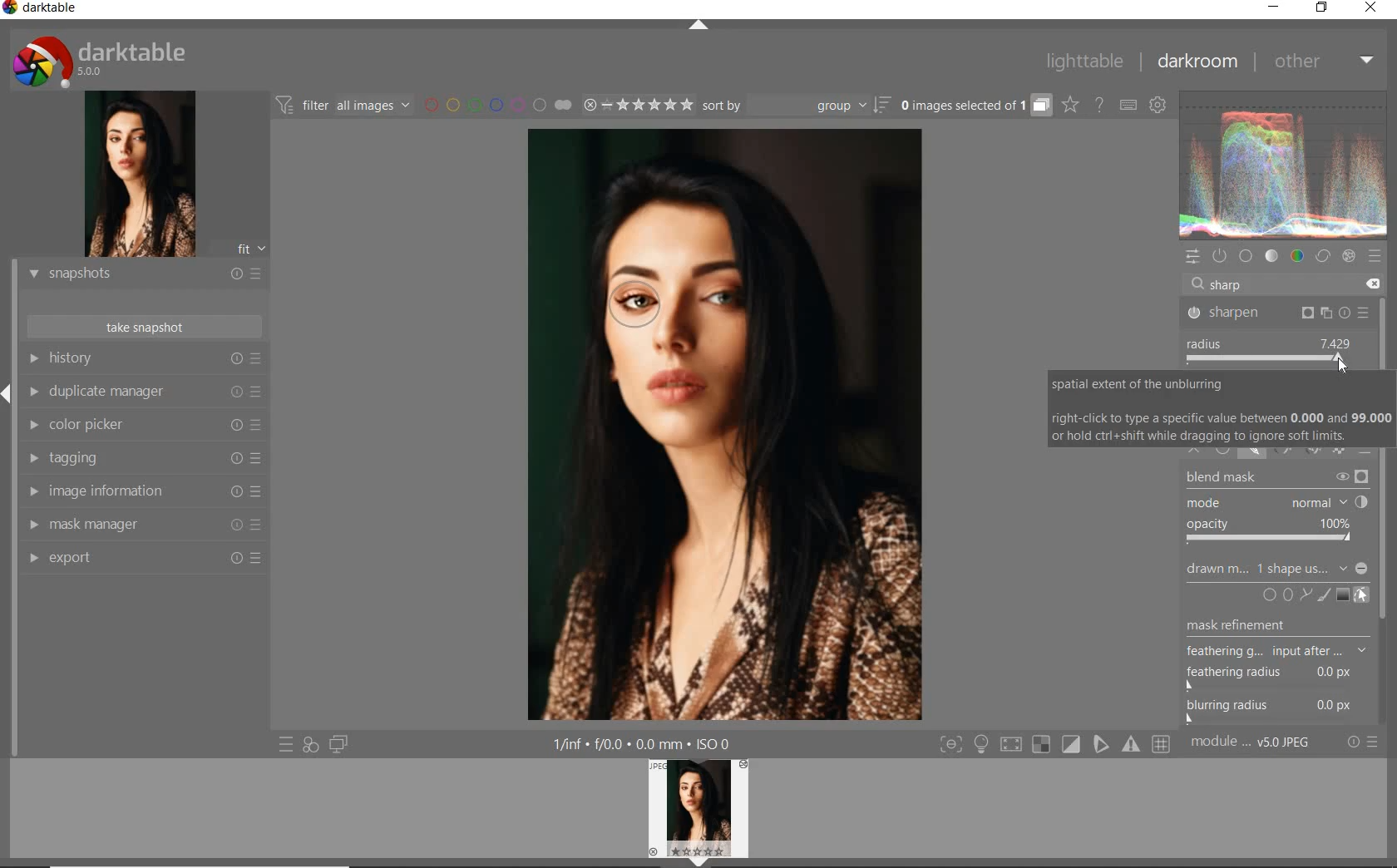 The height and width of the screenshot is (868, 1397). I want to click on blurring radius, so click(1271, 711).